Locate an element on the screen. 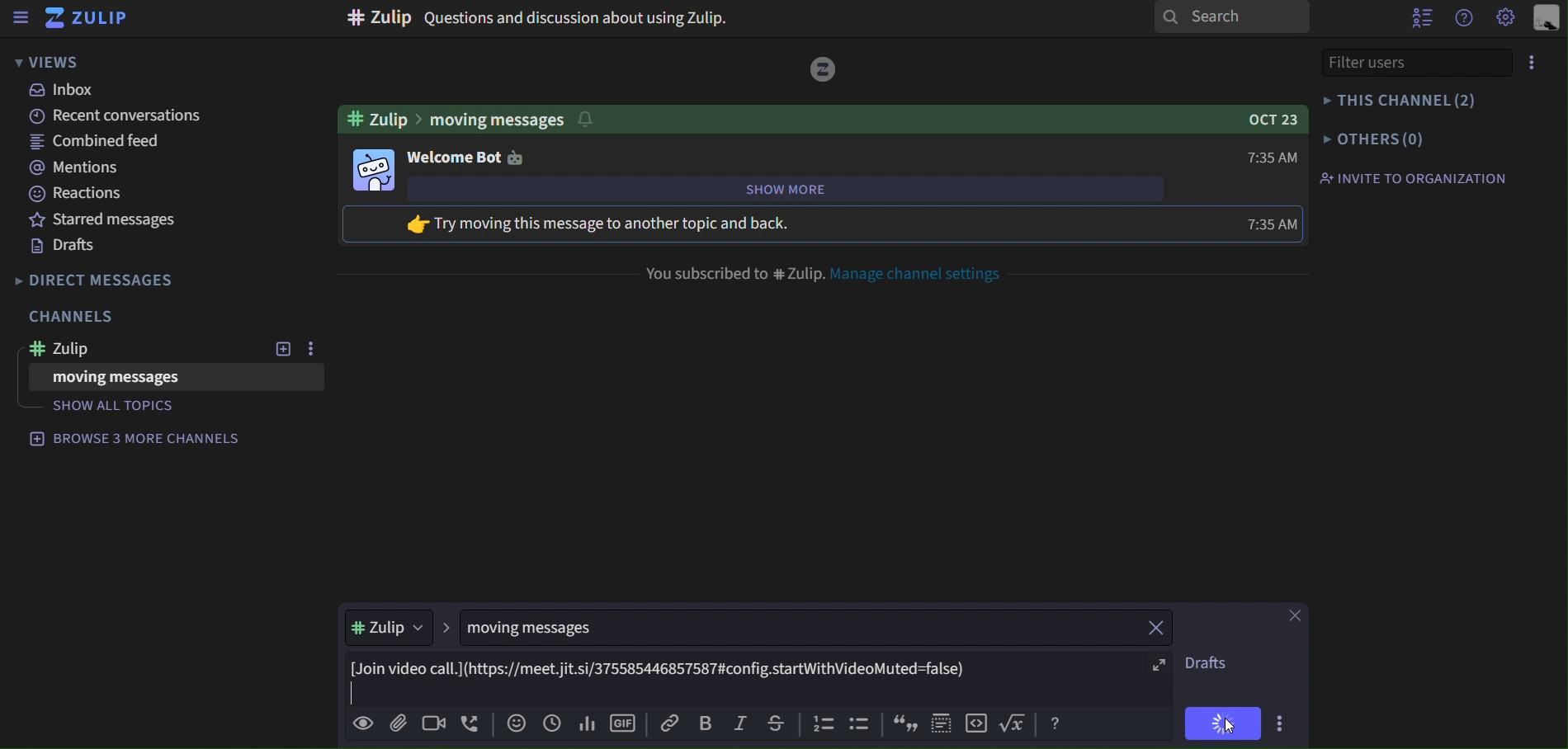  add gif is located at coordinates (623, 725).